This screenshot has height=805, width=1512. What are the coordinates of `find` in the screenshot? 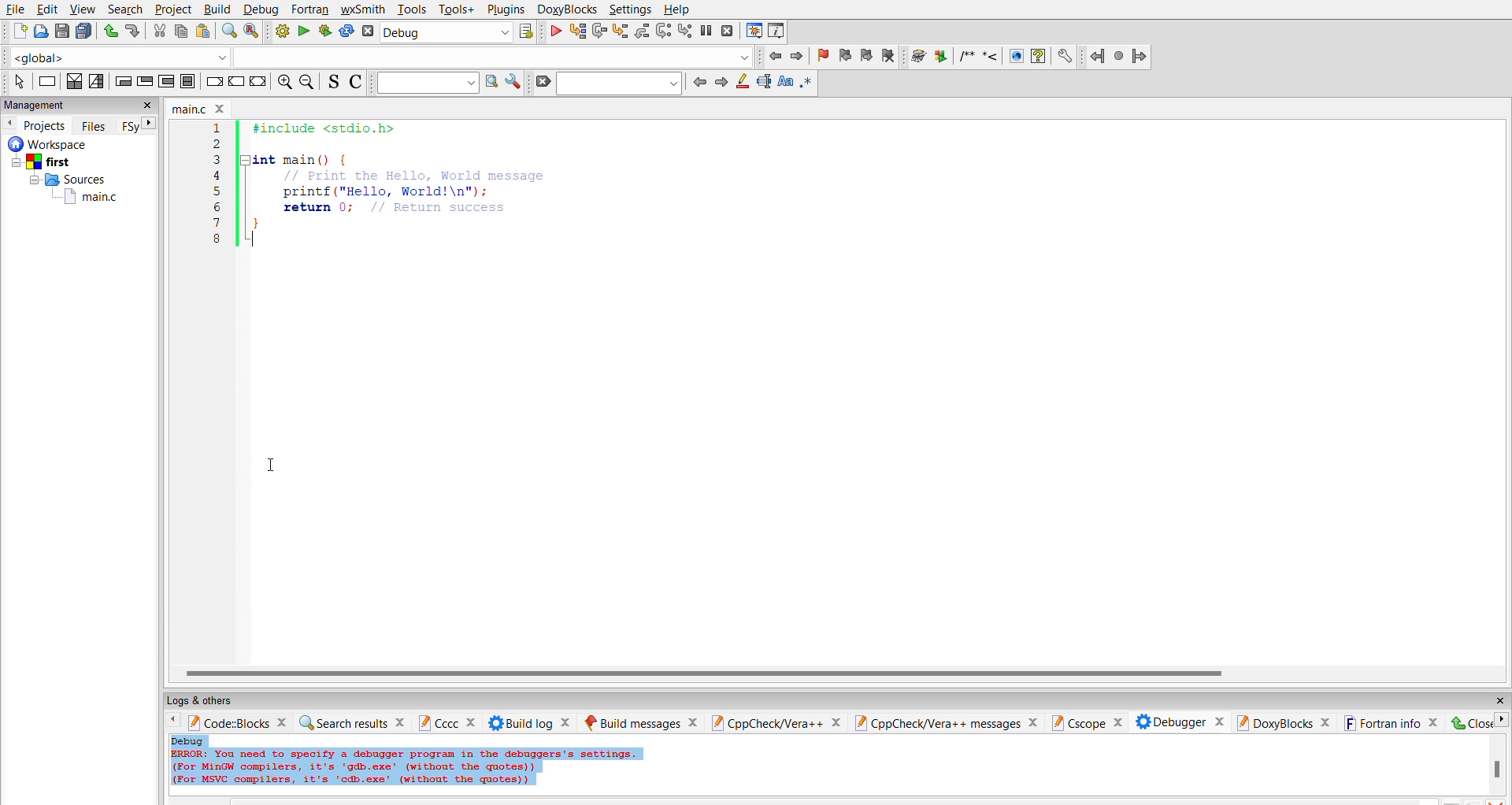 It's located at (229, 32).